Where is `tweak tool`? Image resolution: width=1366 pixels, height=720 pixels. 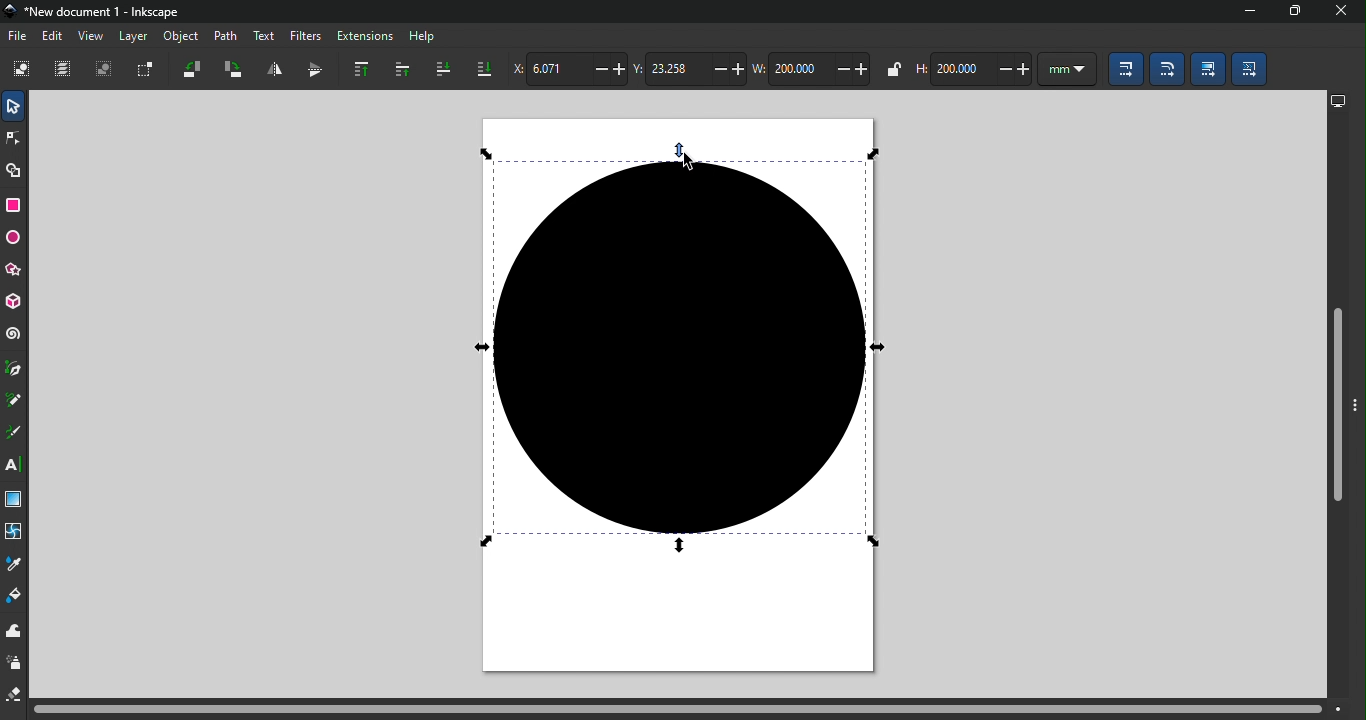
tweak tool is located at coordinates (16, 627).